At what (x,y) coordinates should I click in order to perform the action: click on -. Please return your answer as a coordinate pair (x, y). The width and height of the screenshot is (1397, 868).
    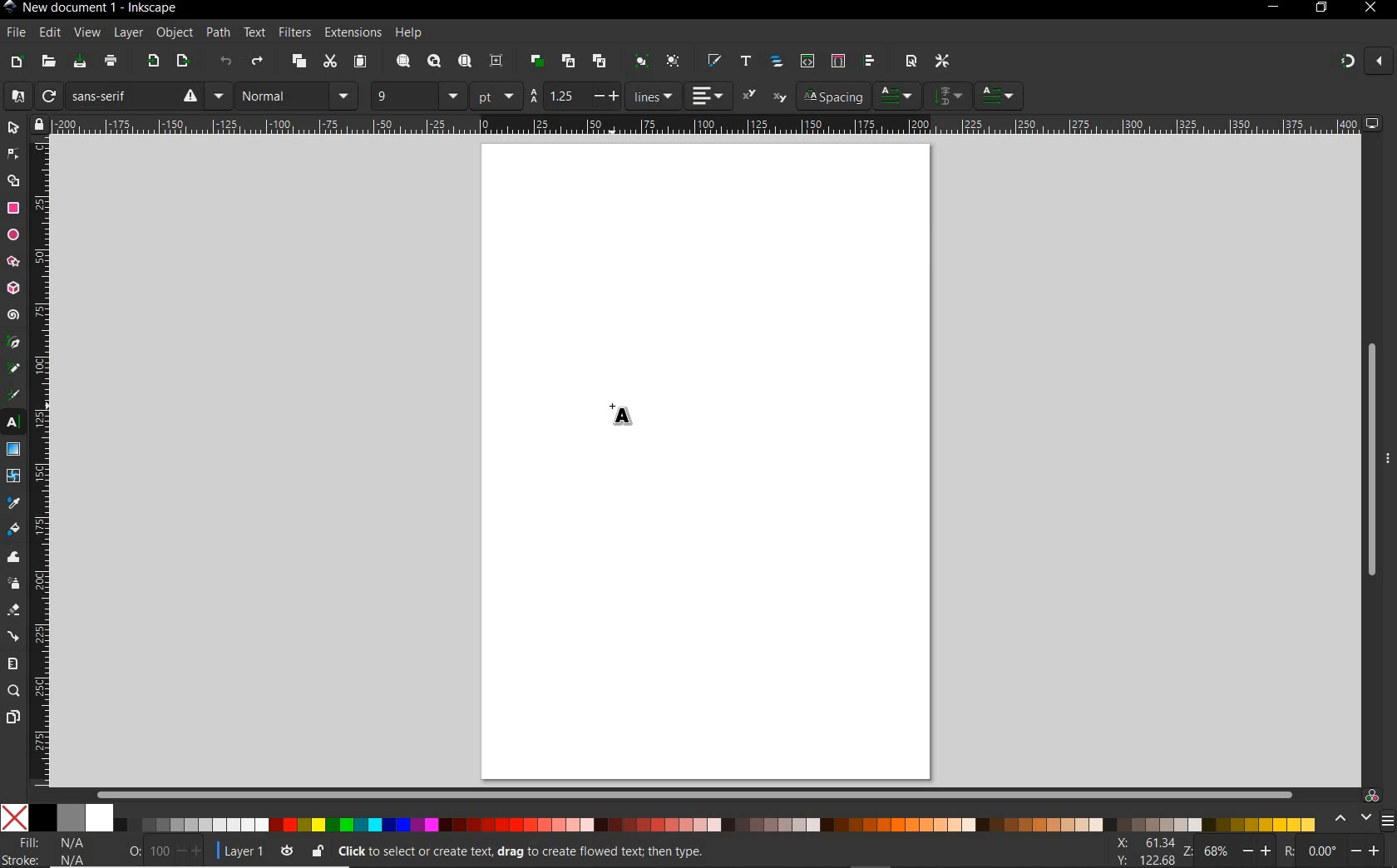
    Looking at the image, I should click on (597, 96).